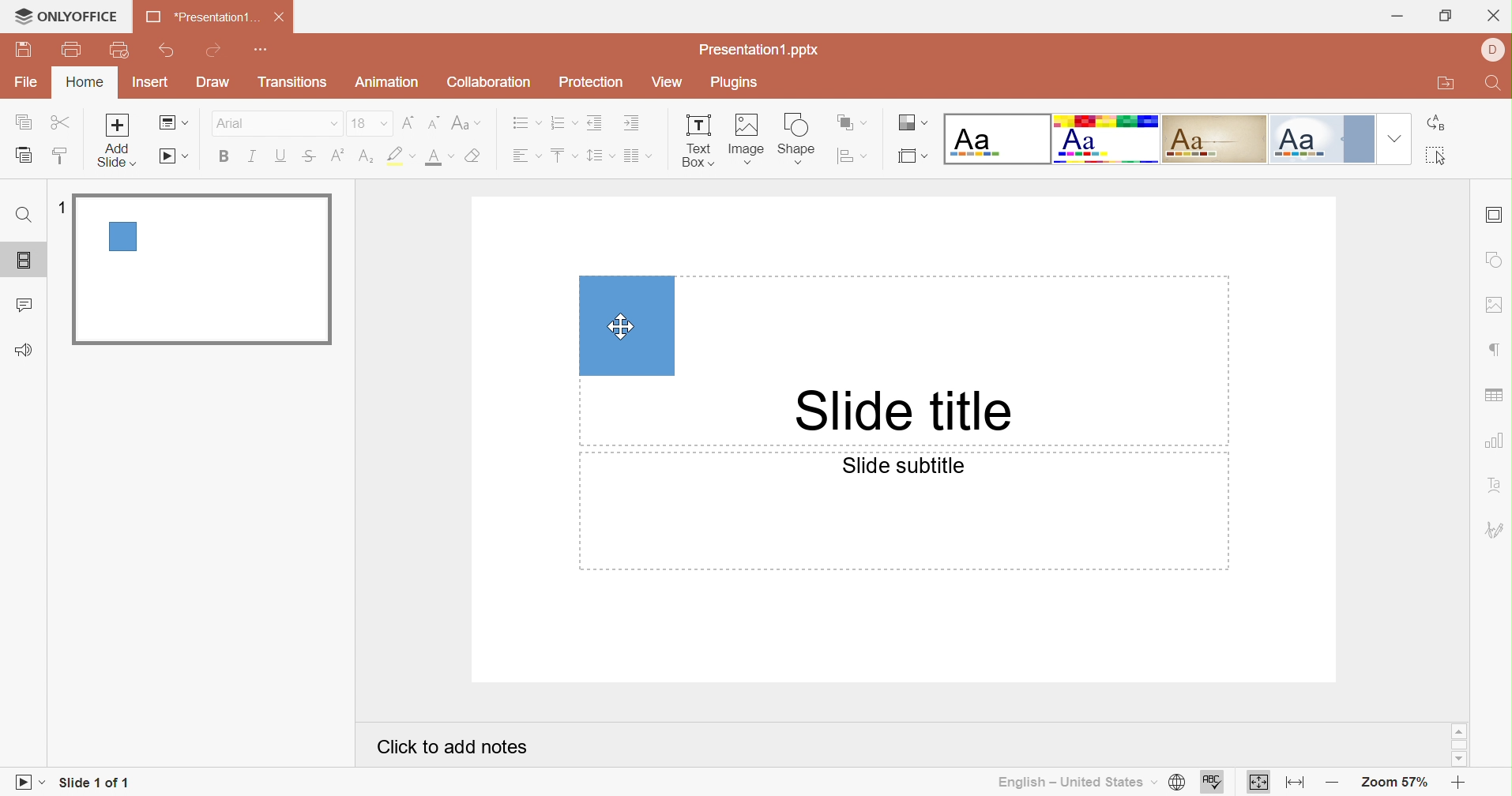 This screenshot has height=796, width=1512. What do you see at coordinates (1446, 84) in the screenshot?
I see `Open file location` at bounding box center [1446, 84].